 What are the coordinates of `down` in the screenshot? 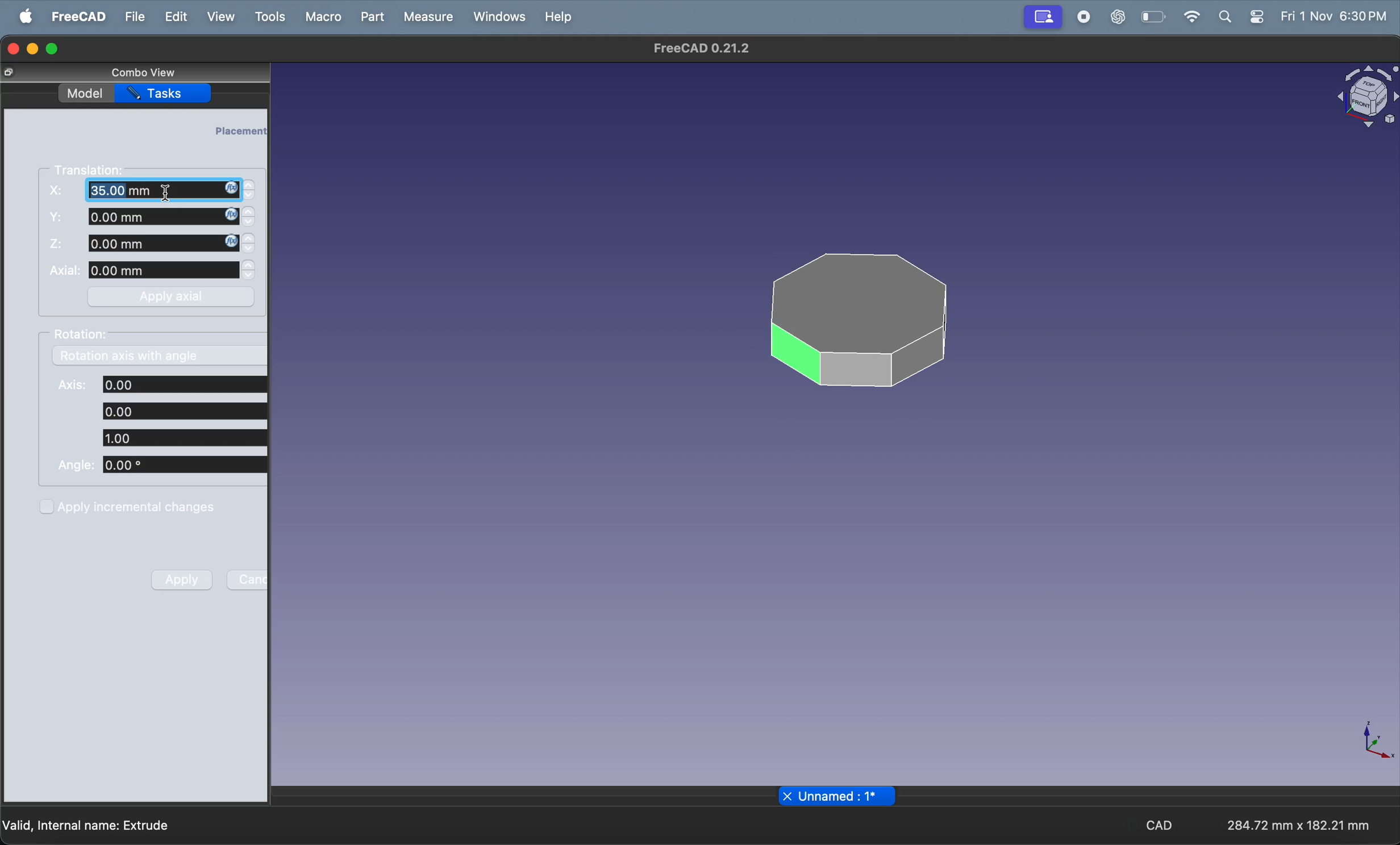 It's located at (249, 250).